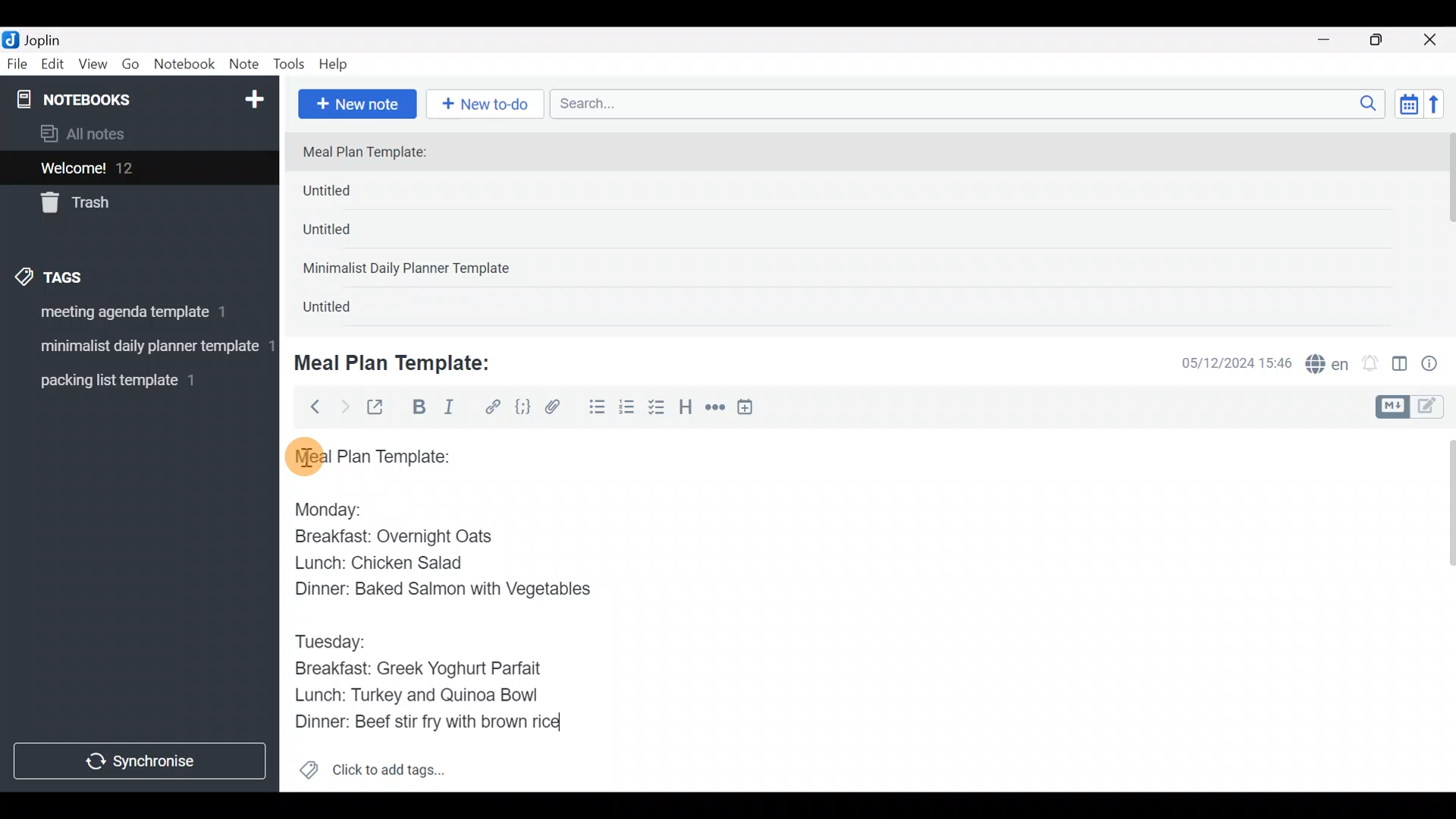  I want to click on Breakfast: Greek Yoghurt Parfait, so click(421, 670).